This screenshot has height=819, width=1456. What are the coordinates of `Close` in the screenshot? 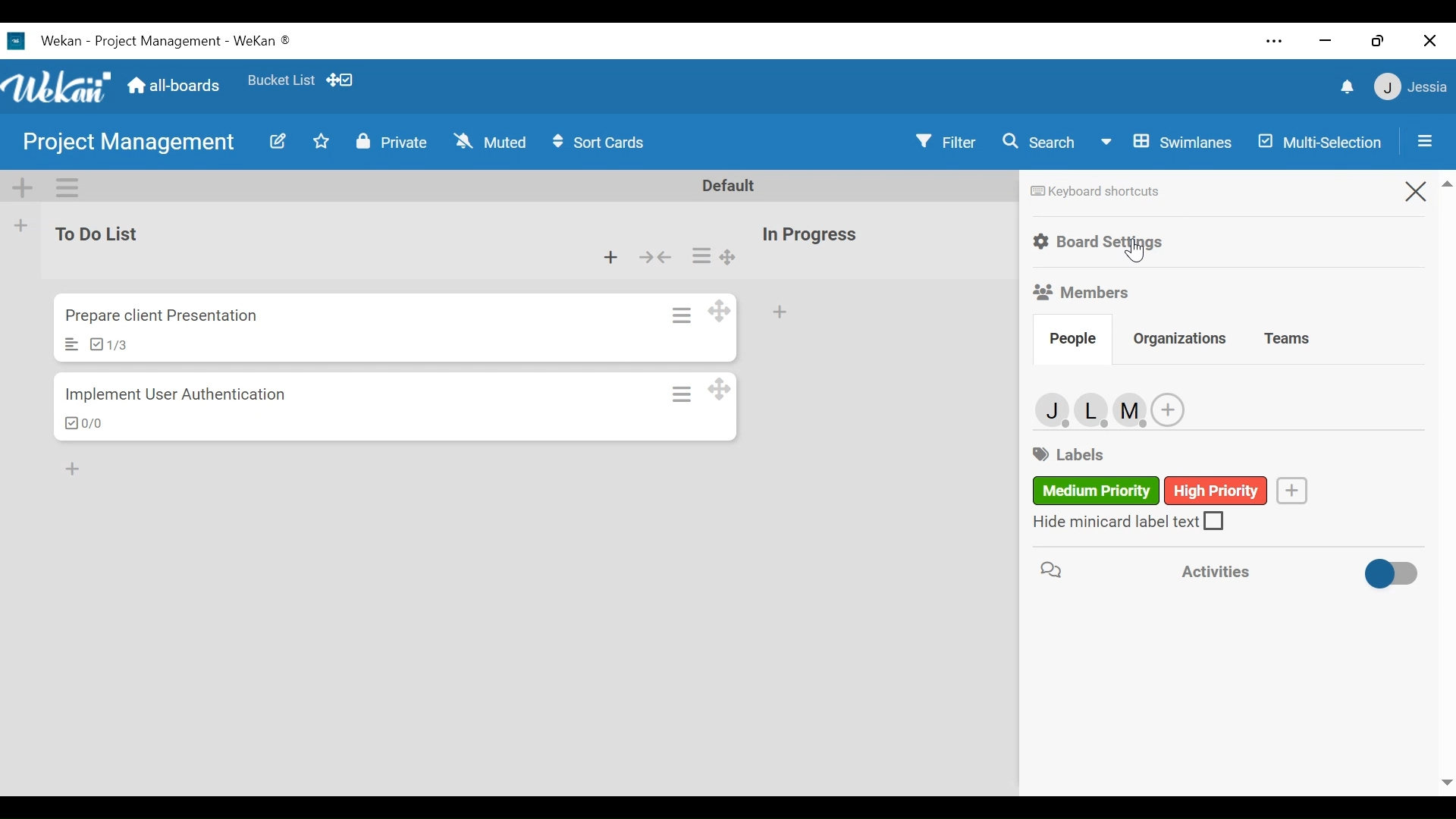 It's located at (1414, 190).